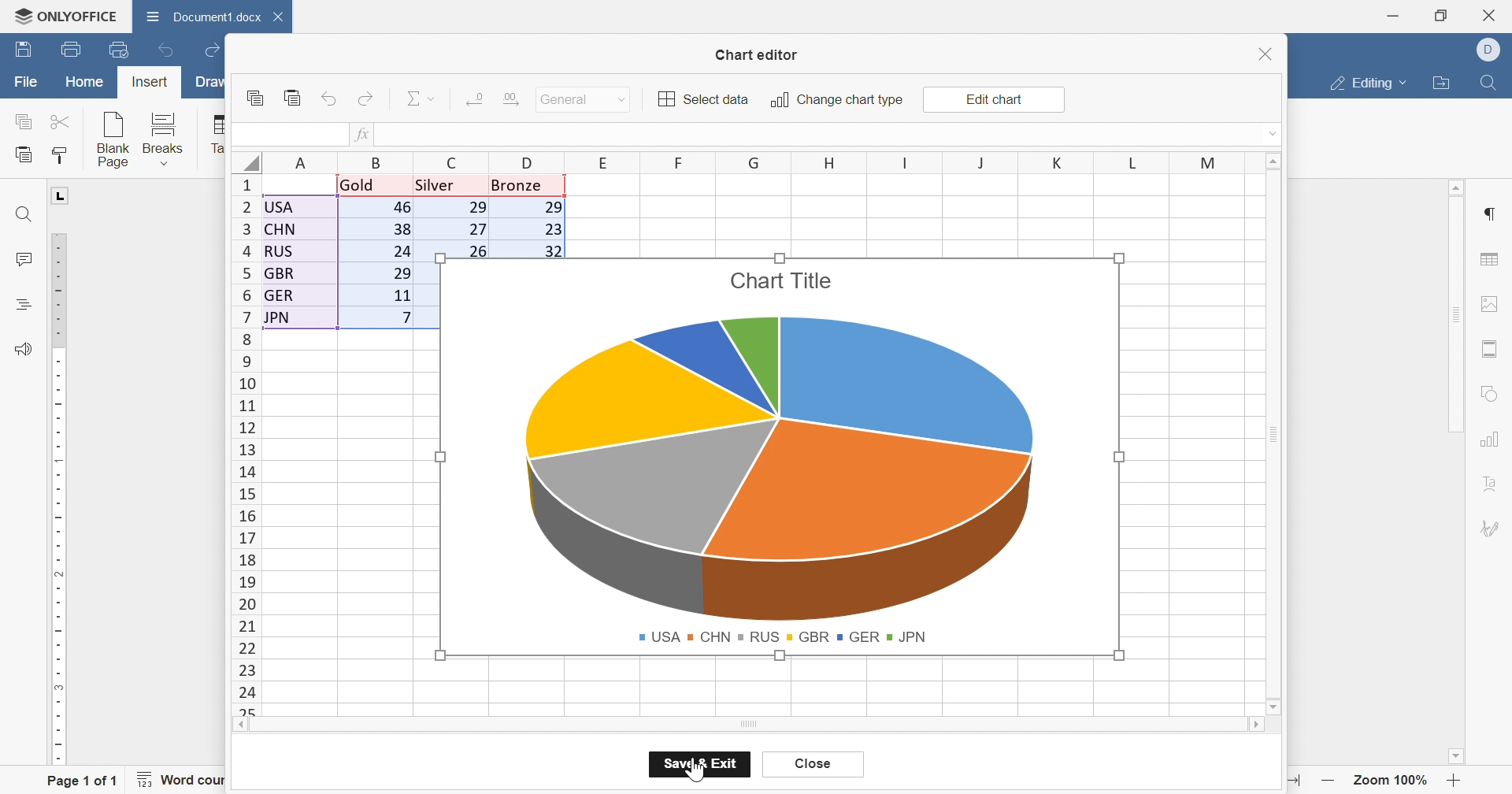 Image resolution: width=1512 pixels, height=794 pixels. I want to click on RUS, so click(759, 636).